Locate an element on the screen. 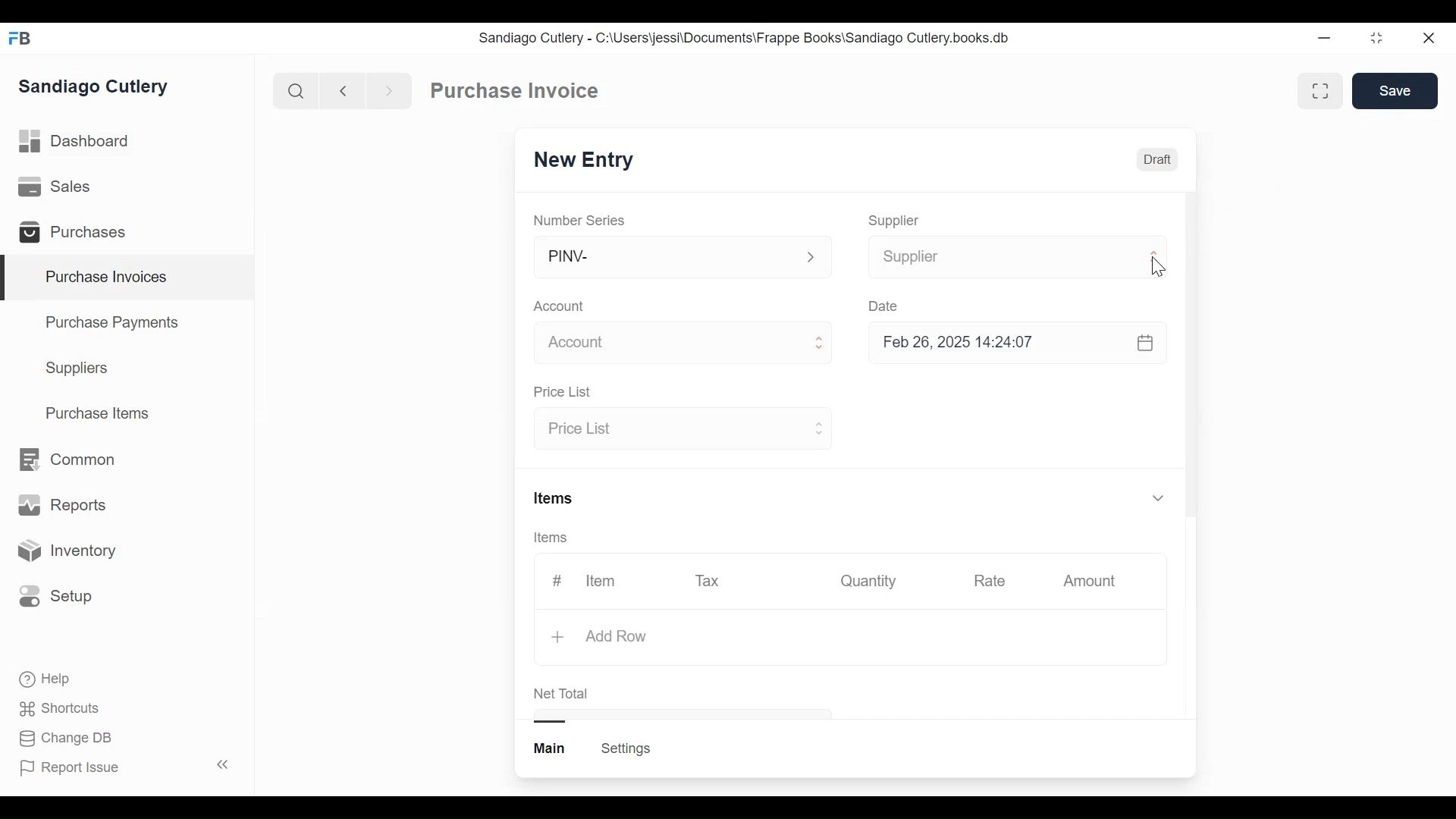 The image size is (1456, 819). Inventory is located at coordinates (65, 551).